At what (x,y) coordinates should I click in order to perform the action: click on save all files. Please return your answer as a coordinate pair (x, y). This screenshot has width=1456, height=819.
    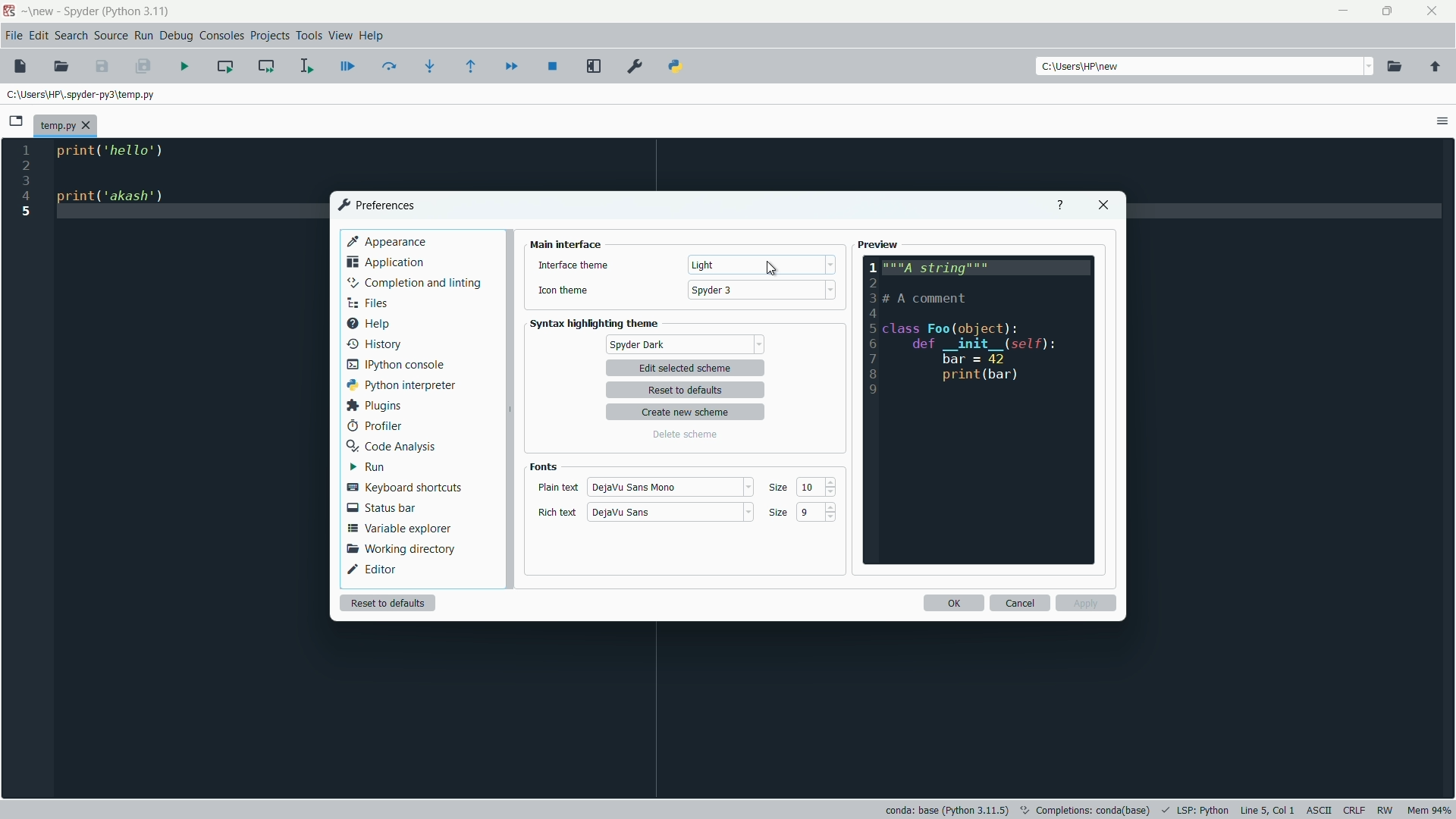
    Looking at the image, I should click on (143, 67).